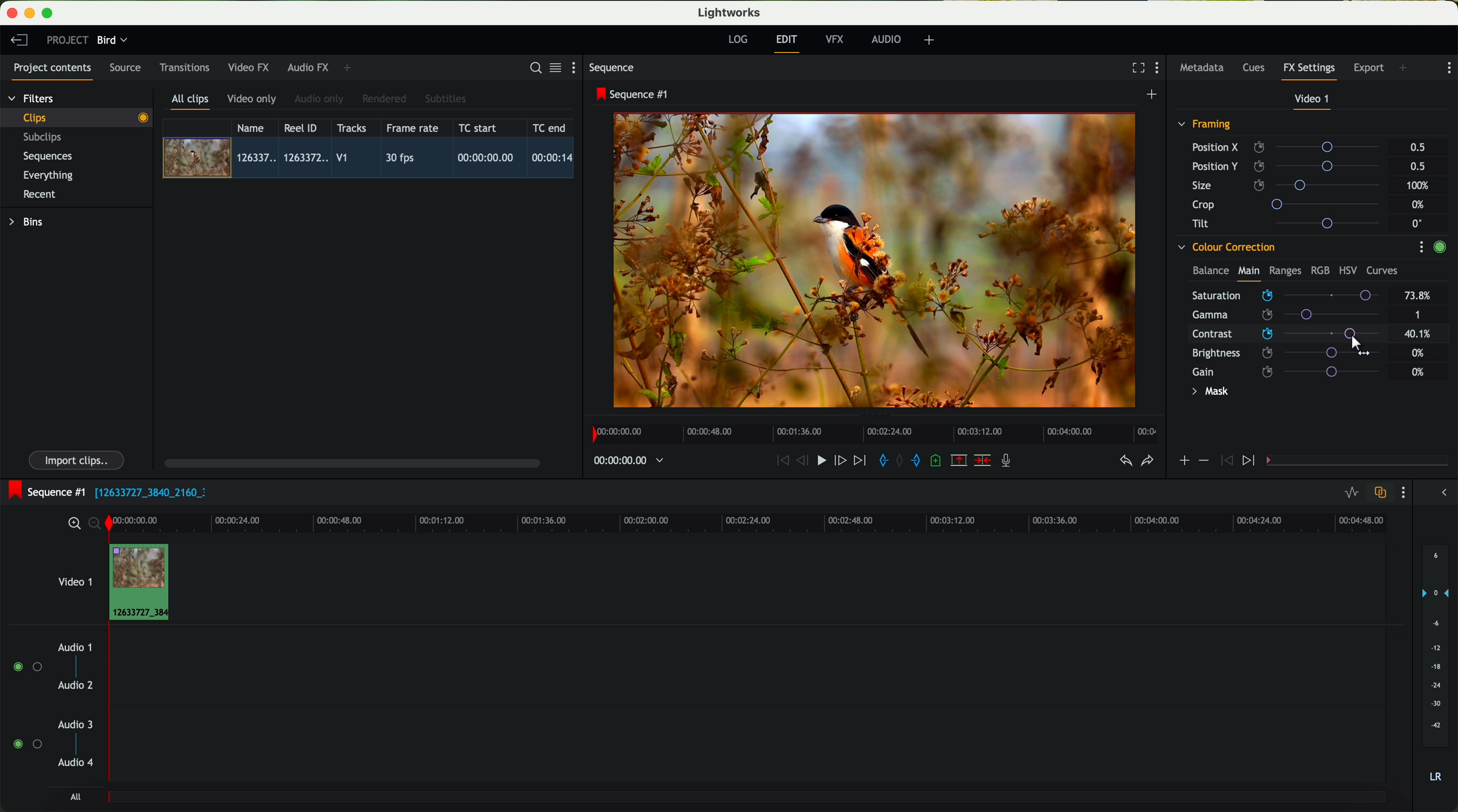  I want to click on audio 1, so click(75, 647).